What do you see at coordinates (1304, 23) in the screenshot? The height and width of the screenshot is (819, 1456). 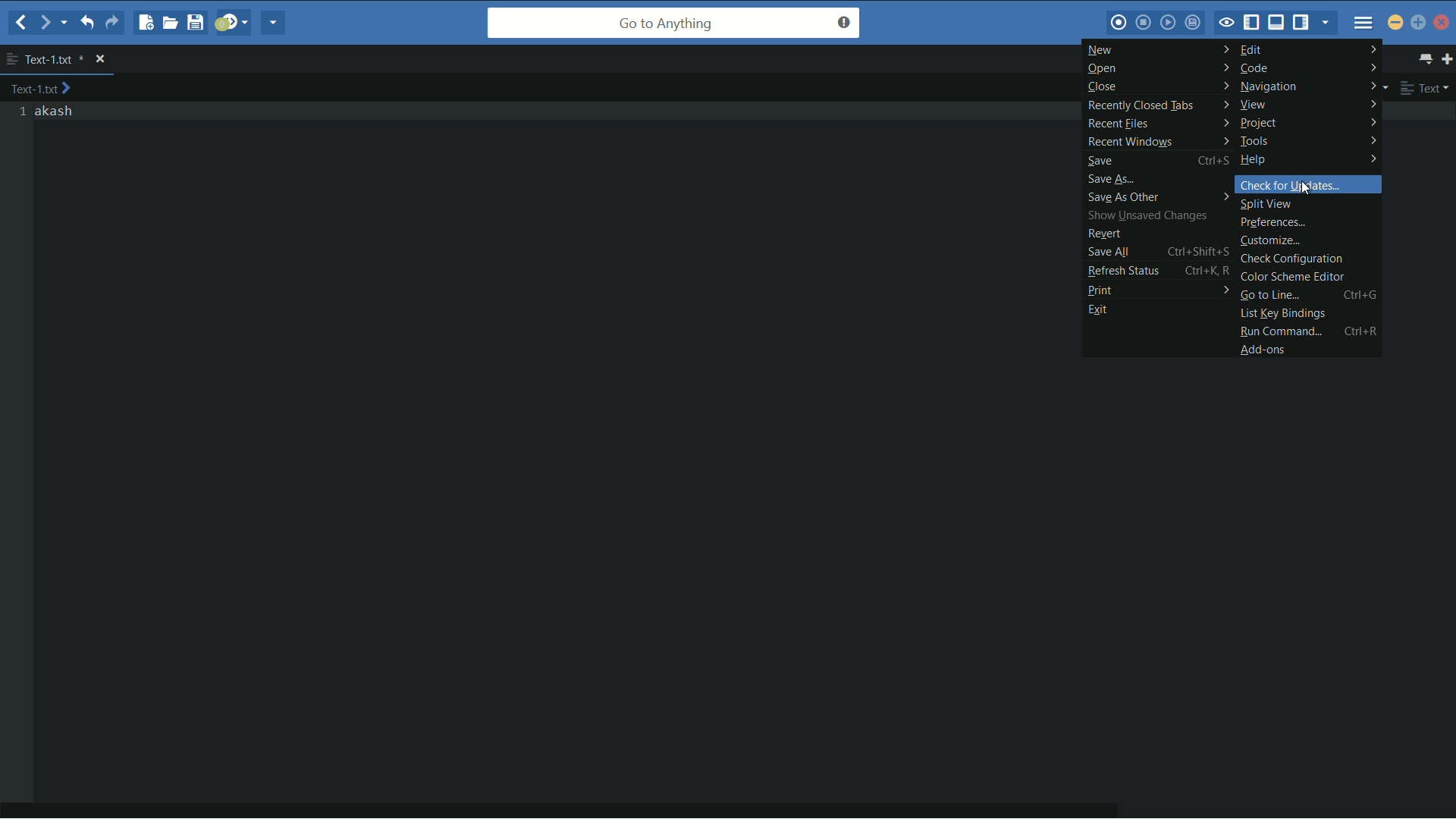 I see `show/hide right panel` at bounding box center [1304, 23].